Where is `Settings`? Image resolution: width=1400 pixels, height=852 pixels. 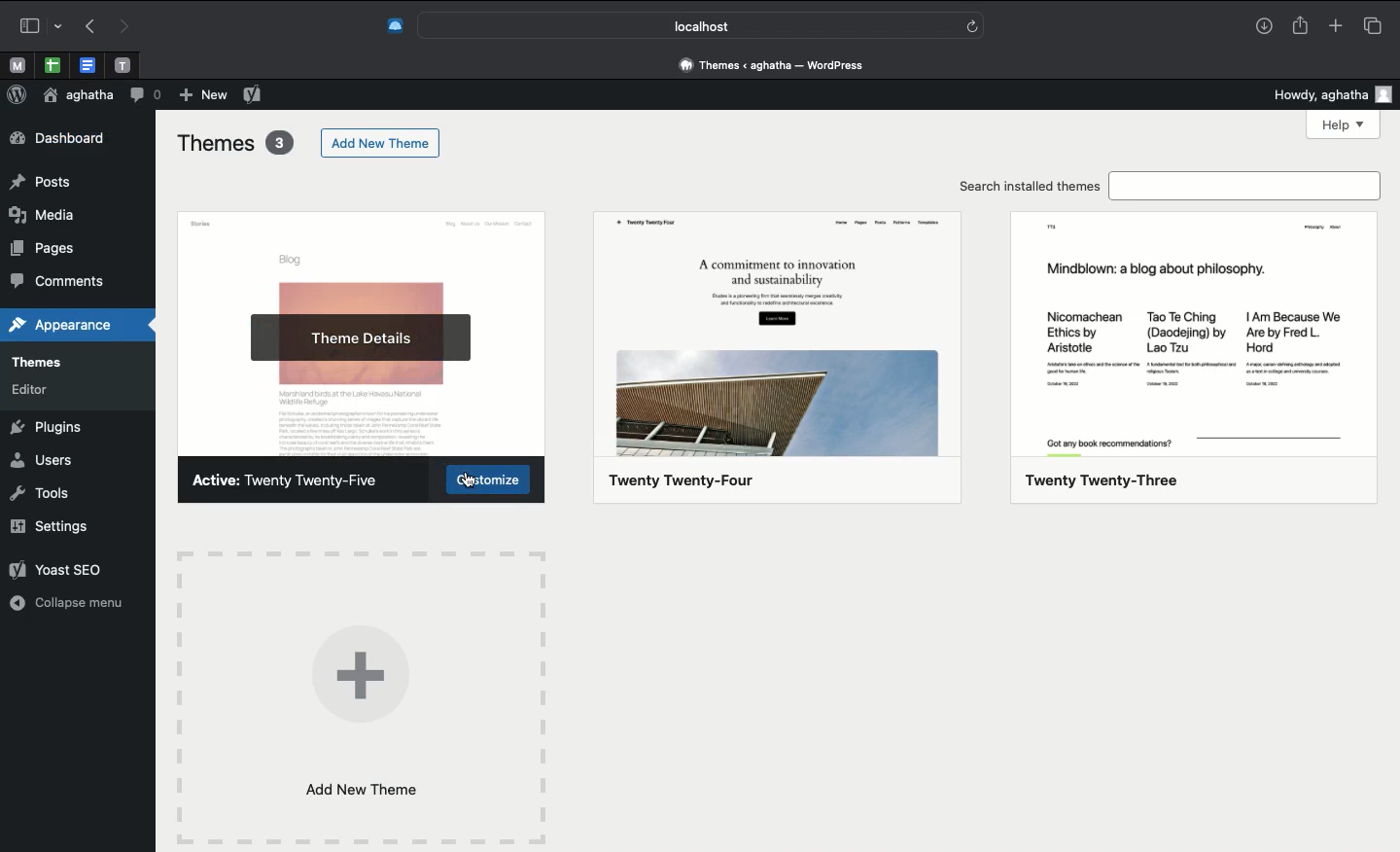
Settings is located at coordinates (49, 526).